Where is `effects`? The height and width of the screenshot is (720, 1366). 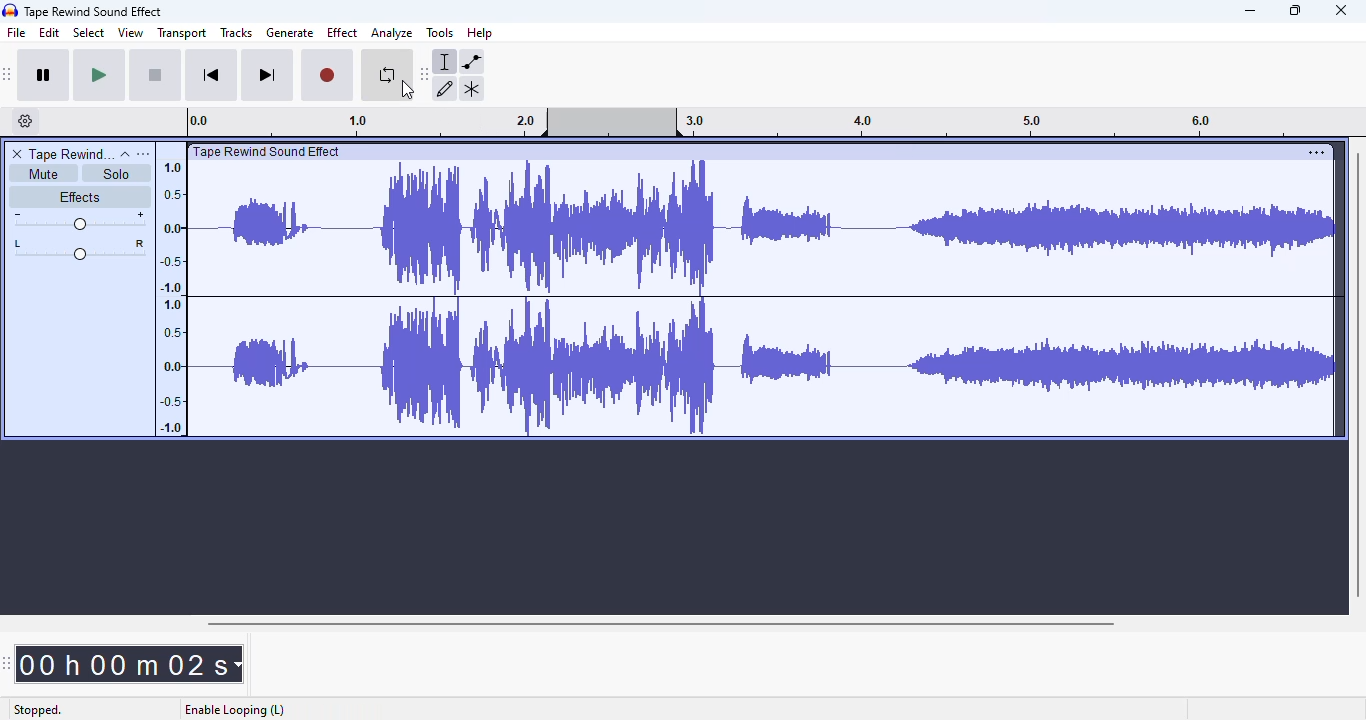 effects is located at coordinates (79, 199).